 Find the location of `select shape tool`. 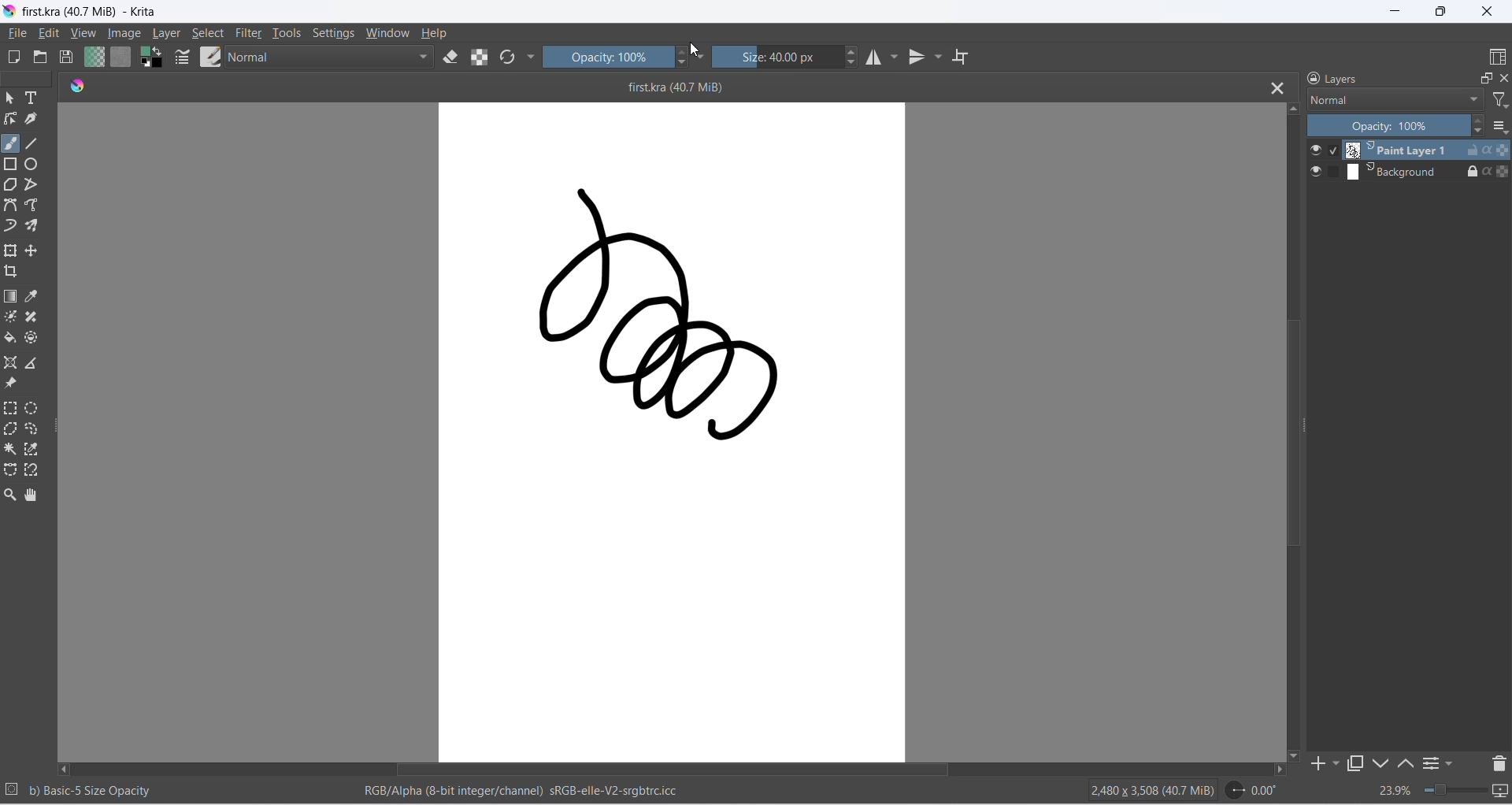

select shape tool is located at coordinates (10, 98).